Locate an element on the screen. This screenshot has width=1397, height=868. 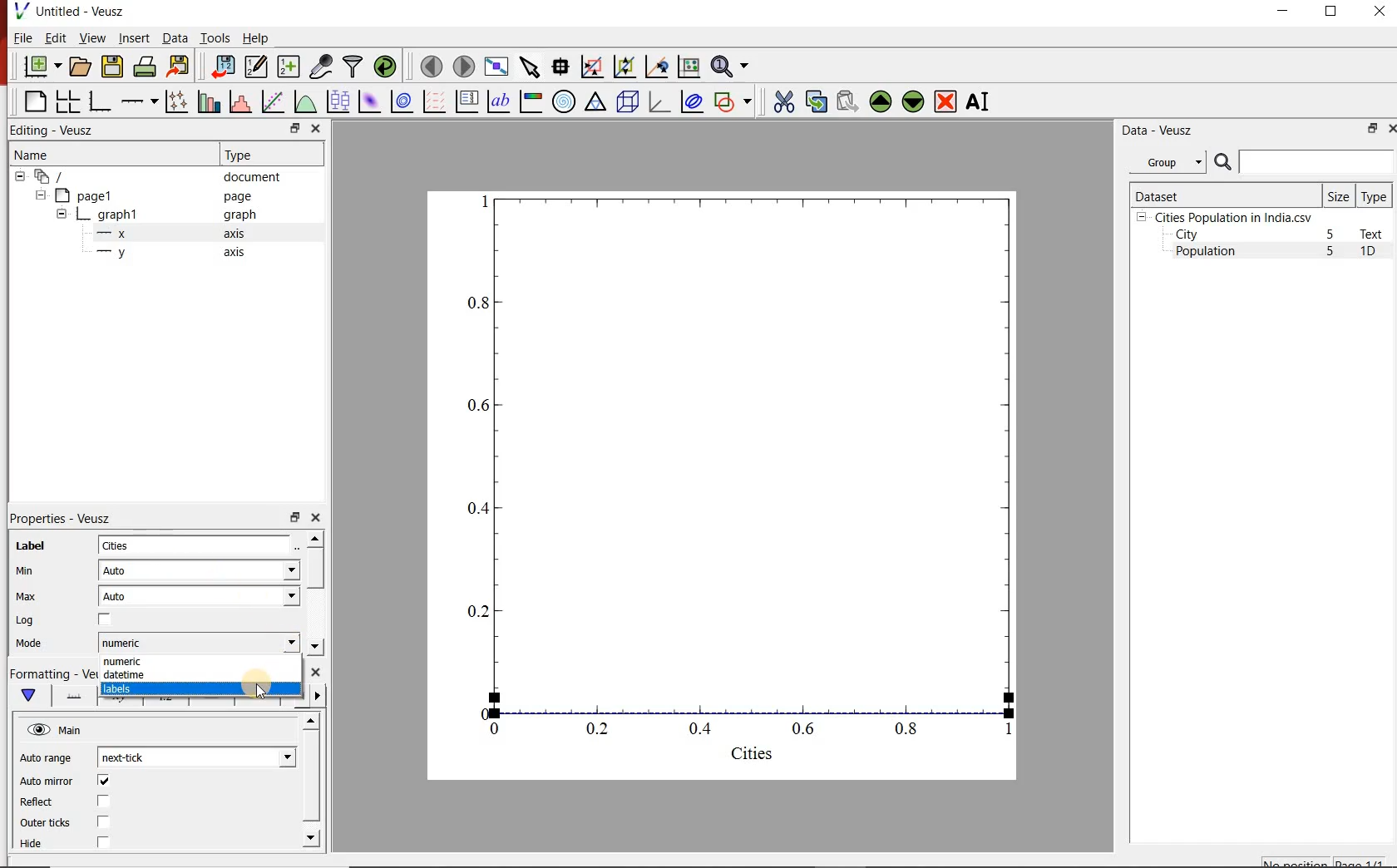
Labels is located at coordinates (124, 688).